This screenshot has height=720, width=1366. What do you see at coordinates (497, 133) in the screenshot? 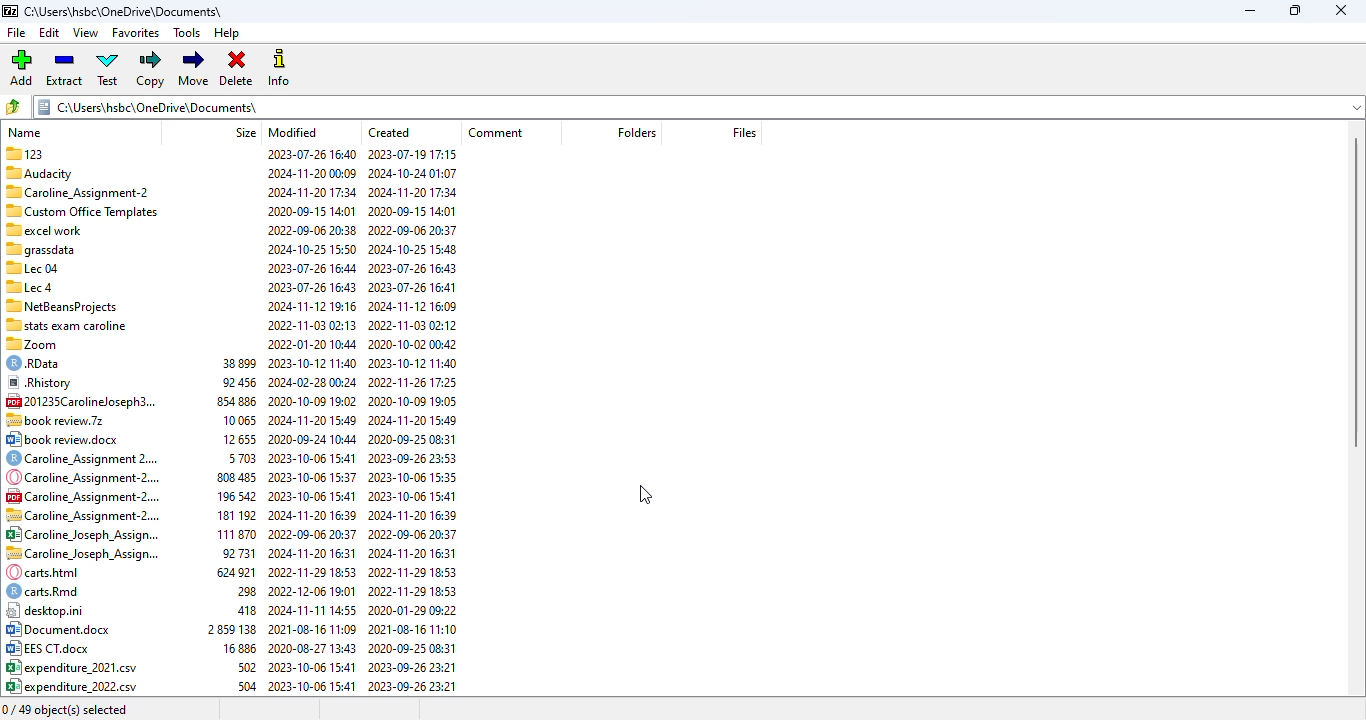
I see `comment` at bounding box center [497, 133].